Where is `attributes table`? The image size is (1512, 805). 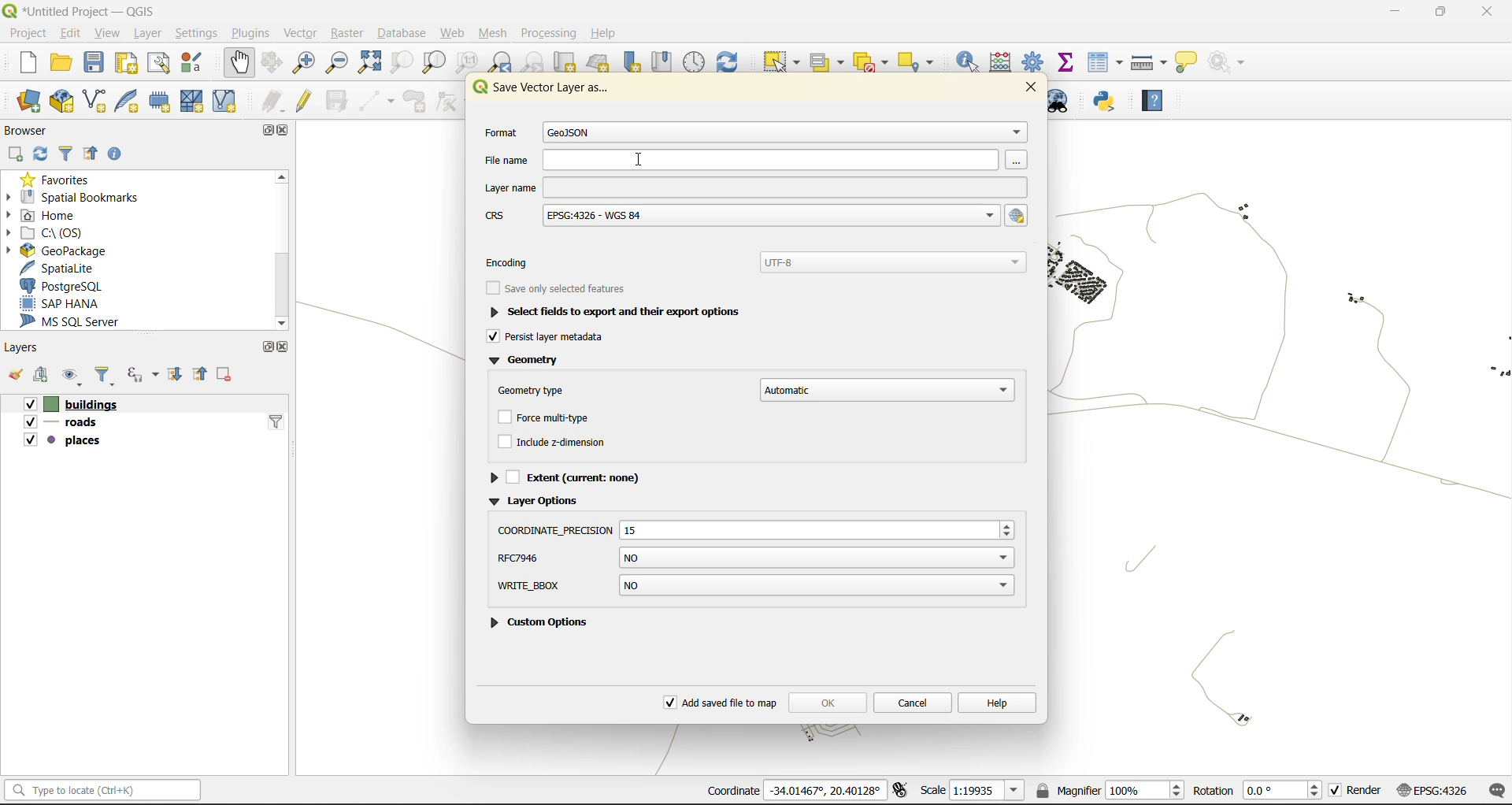 attributes table is located at coordinates (1105, 64).